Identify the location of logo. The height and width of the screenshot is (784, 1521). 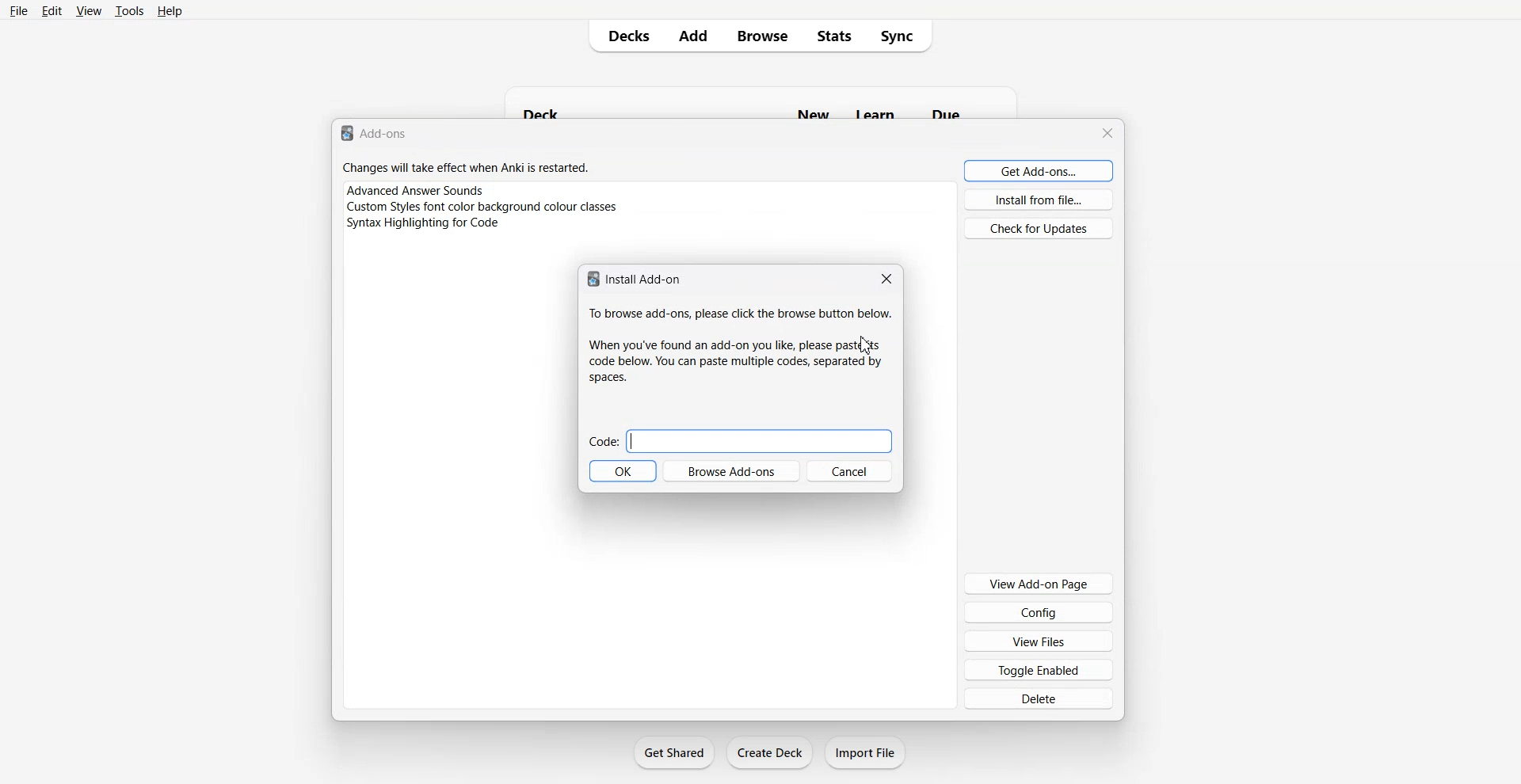
(345, 134).